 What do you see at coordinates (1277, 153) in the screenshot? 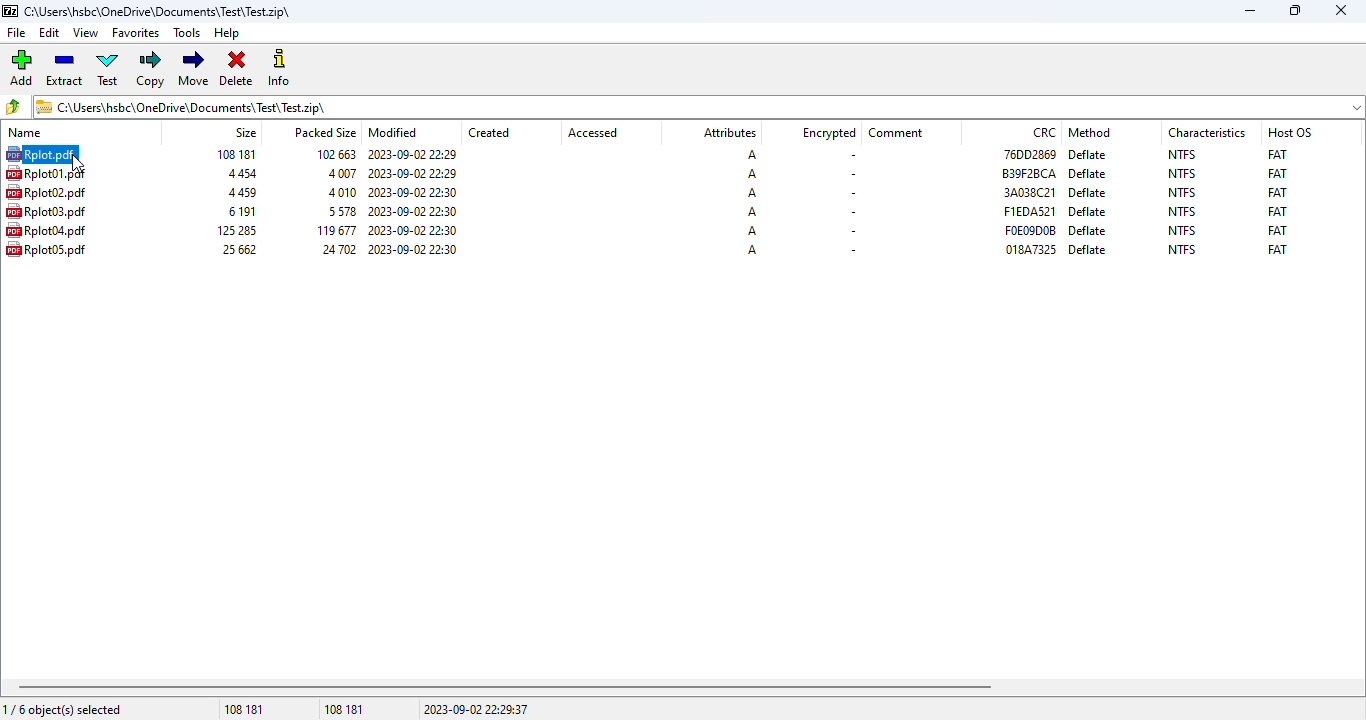
I see `FAT` at bounding box center [1277, 153].